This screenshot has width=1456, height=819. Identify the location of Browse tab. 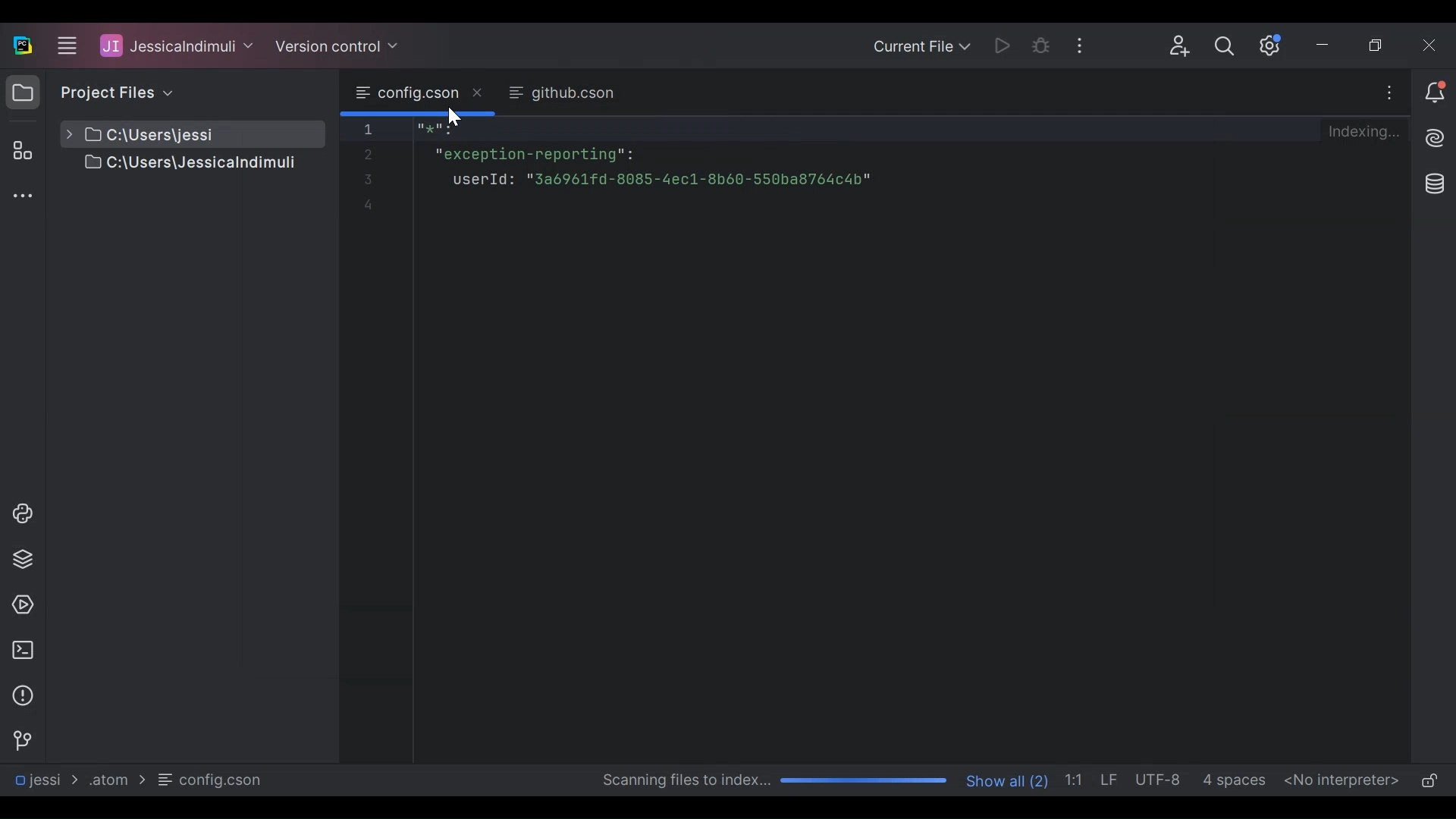
(560, 94).